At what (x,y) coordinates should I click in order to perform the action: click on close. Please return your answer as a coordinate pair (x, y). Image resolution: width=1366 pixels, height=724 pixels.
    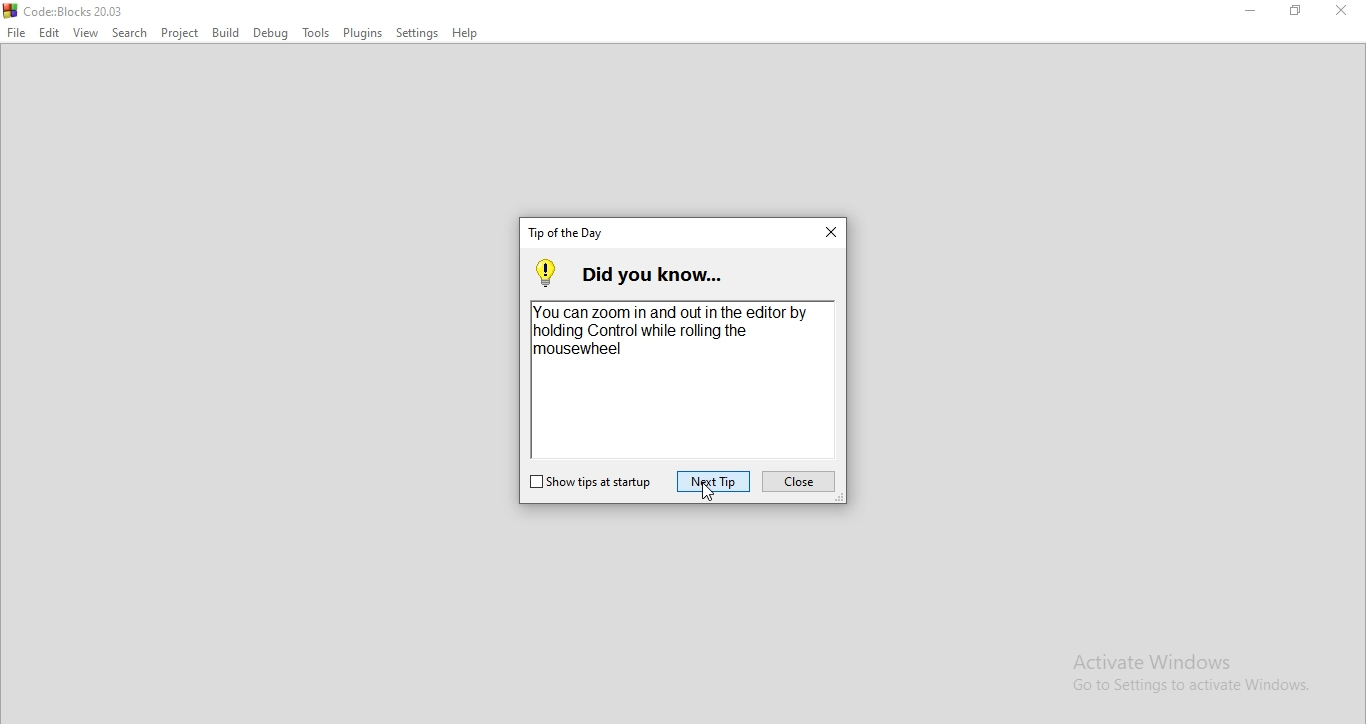
    Looking at the image, I should click on (799, 482).